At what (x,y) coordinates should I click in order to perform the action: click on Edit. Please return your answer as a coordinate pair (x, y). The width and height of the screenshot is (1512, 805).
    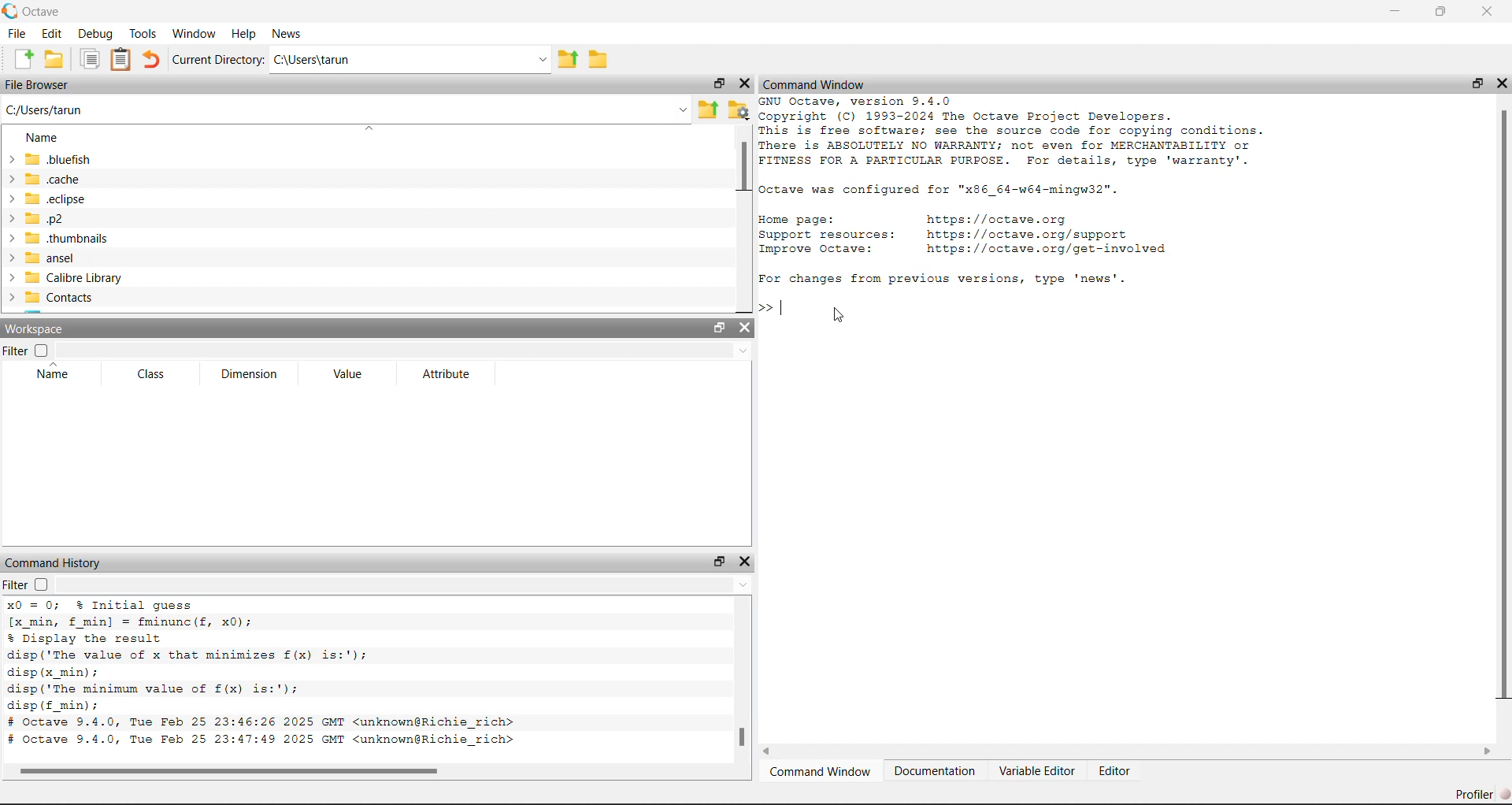
    Looking at the image, I should click on (51, 35).